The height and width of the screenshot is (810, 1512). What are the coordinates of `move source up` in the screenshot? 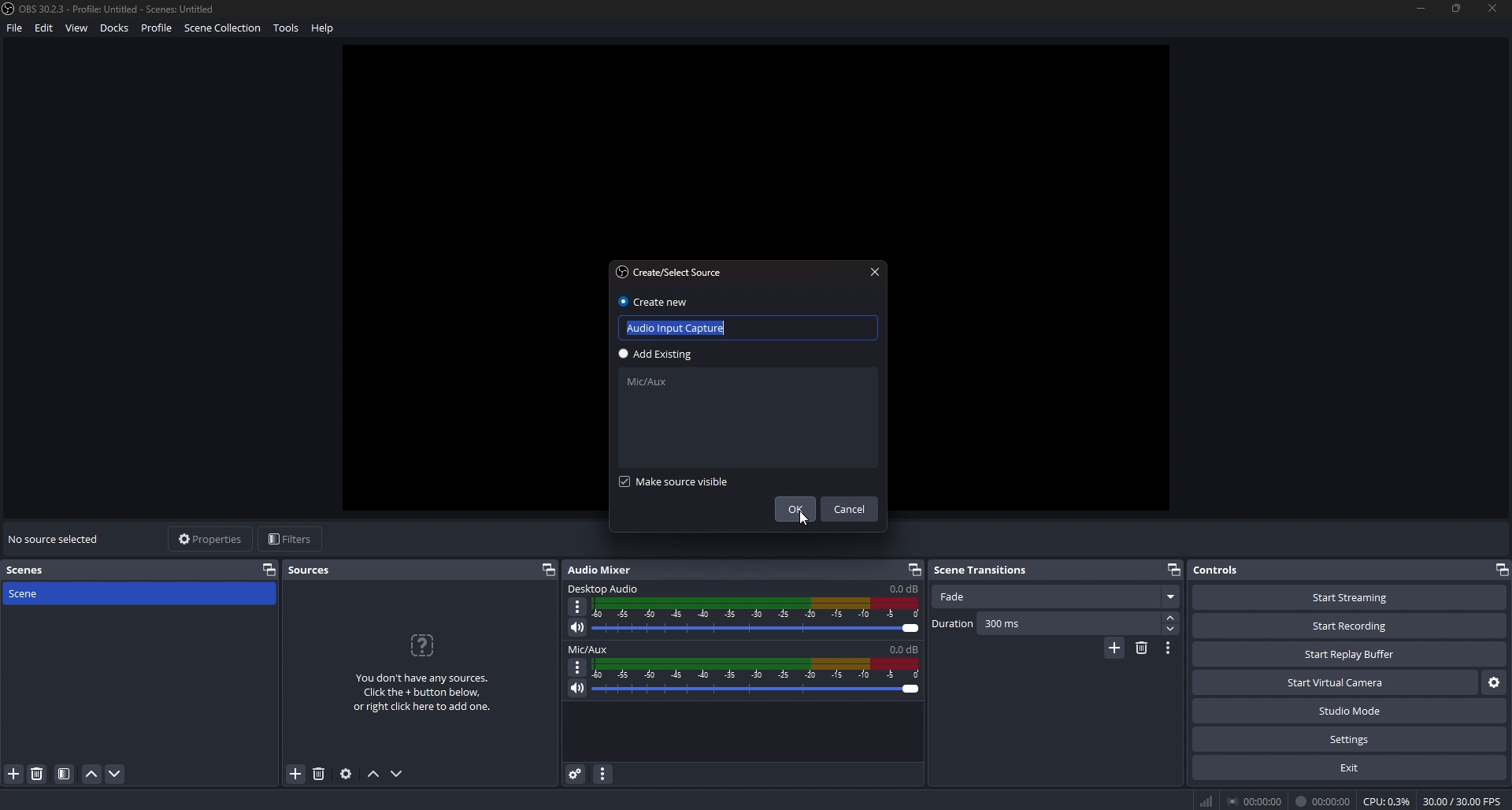 It's located at (374, 775).